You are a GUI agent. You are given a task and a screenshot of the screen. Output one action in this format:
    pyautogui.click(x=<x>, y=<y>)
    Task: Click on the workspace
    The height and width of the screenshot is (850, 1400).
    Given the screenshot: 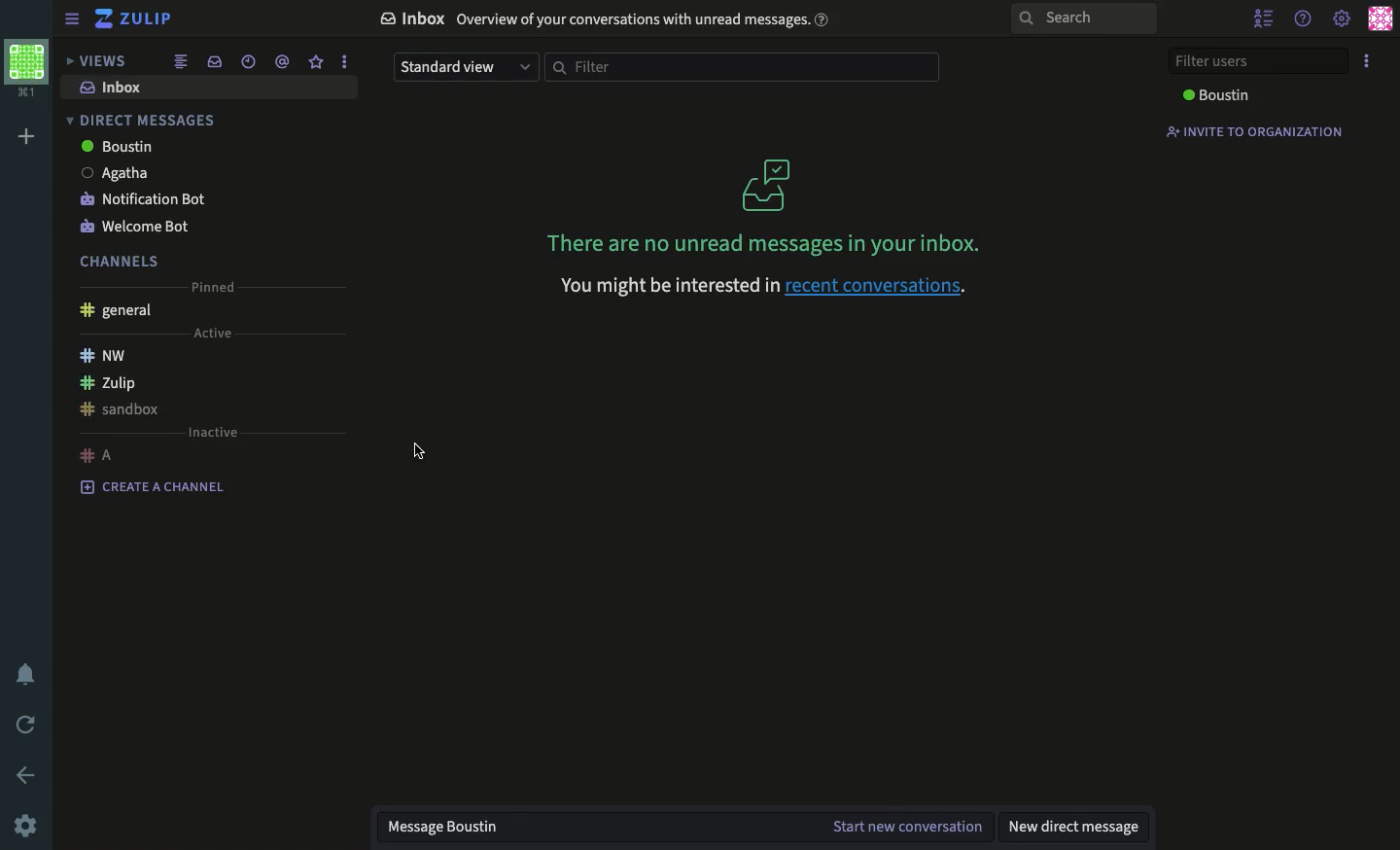 What is the action you would take?
    pyautogui.click(x=26, y=69)
    